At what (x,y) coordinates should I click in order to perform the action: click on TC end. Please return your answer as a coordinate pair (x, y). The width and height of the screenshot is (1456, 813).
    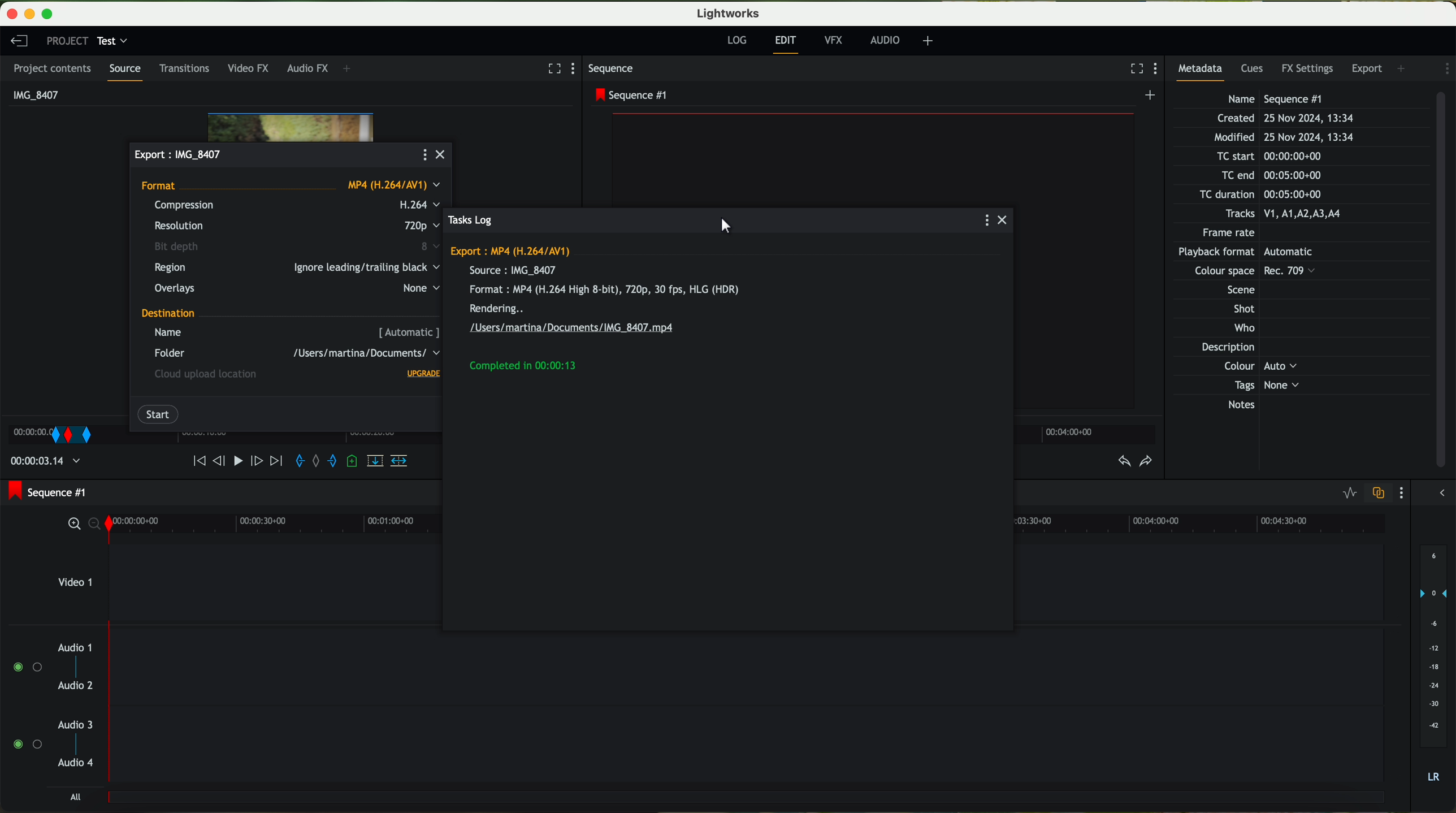
    Looking at the image, I should click on (1286, 176).